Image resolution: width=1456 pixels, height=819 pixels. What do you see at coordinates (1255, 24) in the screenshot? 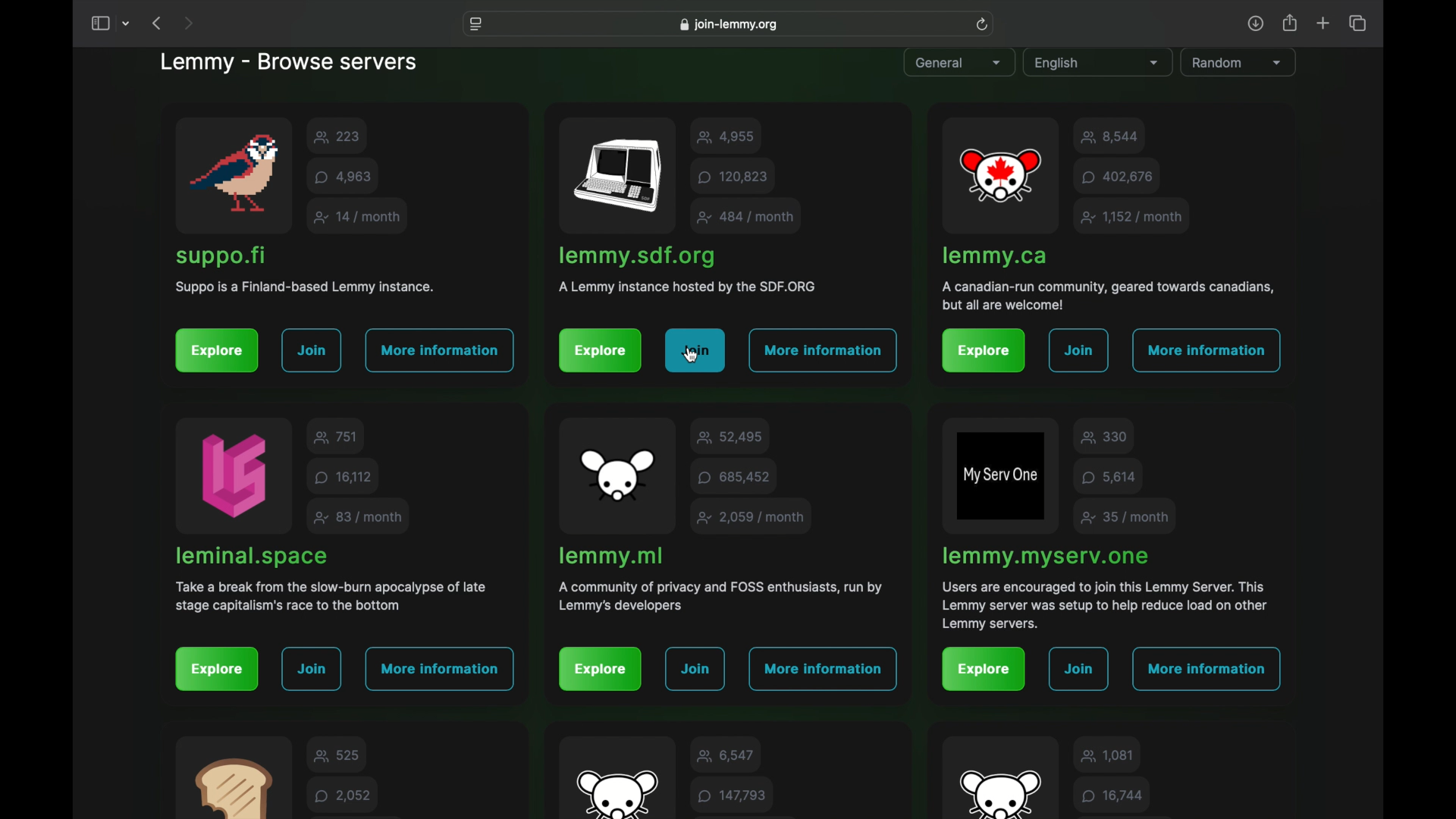
I see `share` at bounding box center [1255, 24].